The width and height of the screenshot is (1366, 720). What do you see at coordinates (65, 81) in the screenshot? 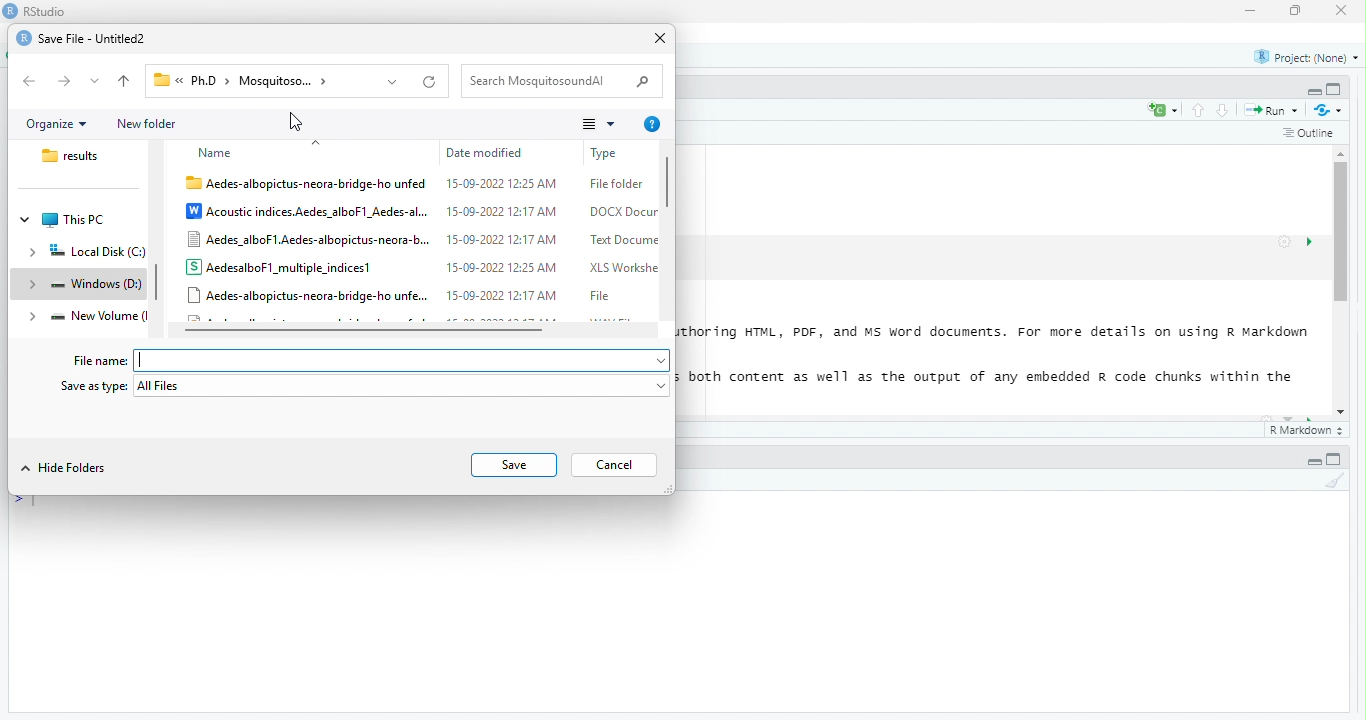
I see `forward` at bounding box center [65, 81].